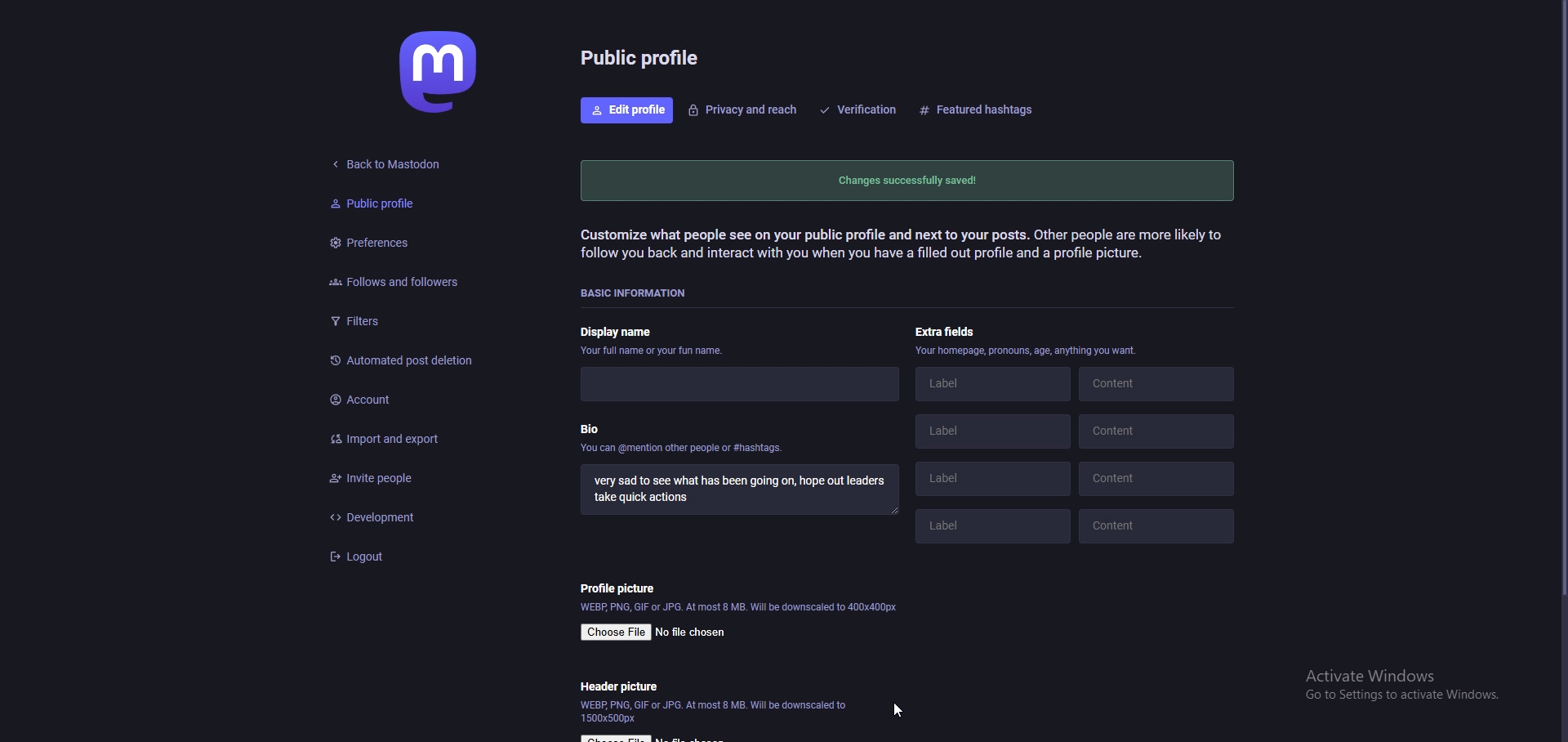 The image size is (1568, 742). I want to click on Web, png, gif or JPG. At most 8 MB. Will be downscaled to 400 x 400 px, so click(736, 608).